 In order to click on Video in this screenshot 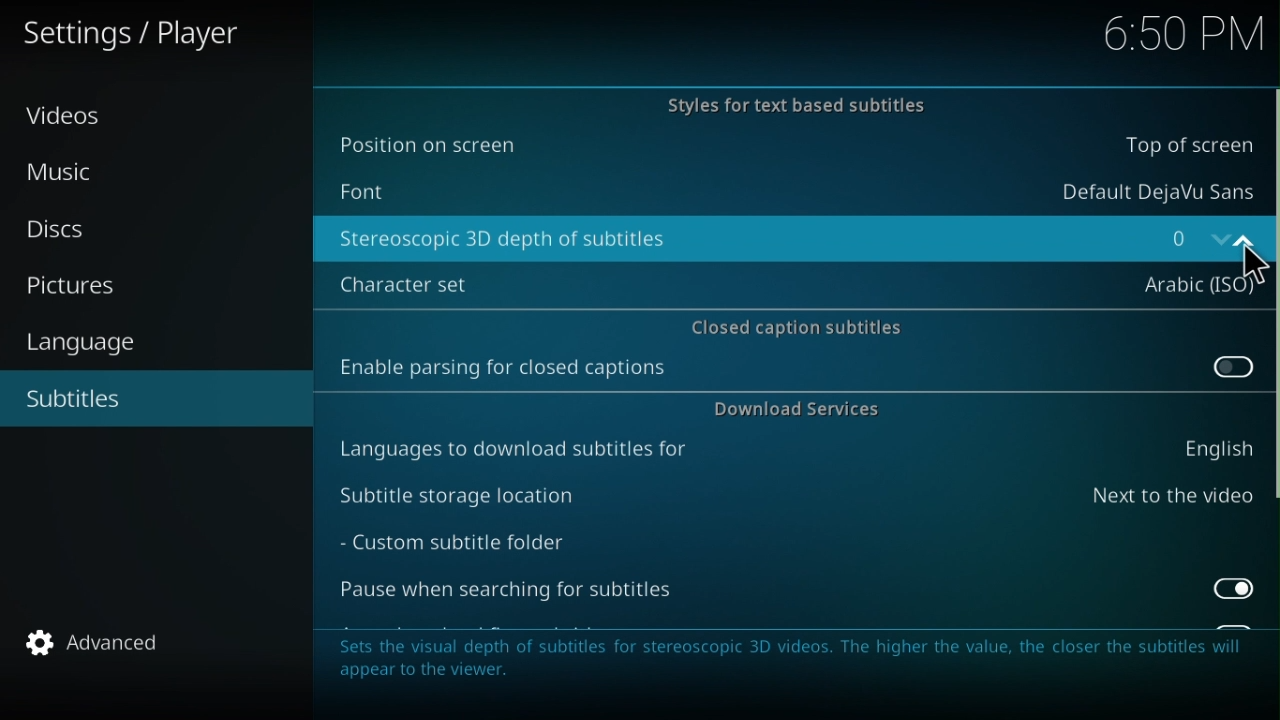, I will do `click(69, 123)`.